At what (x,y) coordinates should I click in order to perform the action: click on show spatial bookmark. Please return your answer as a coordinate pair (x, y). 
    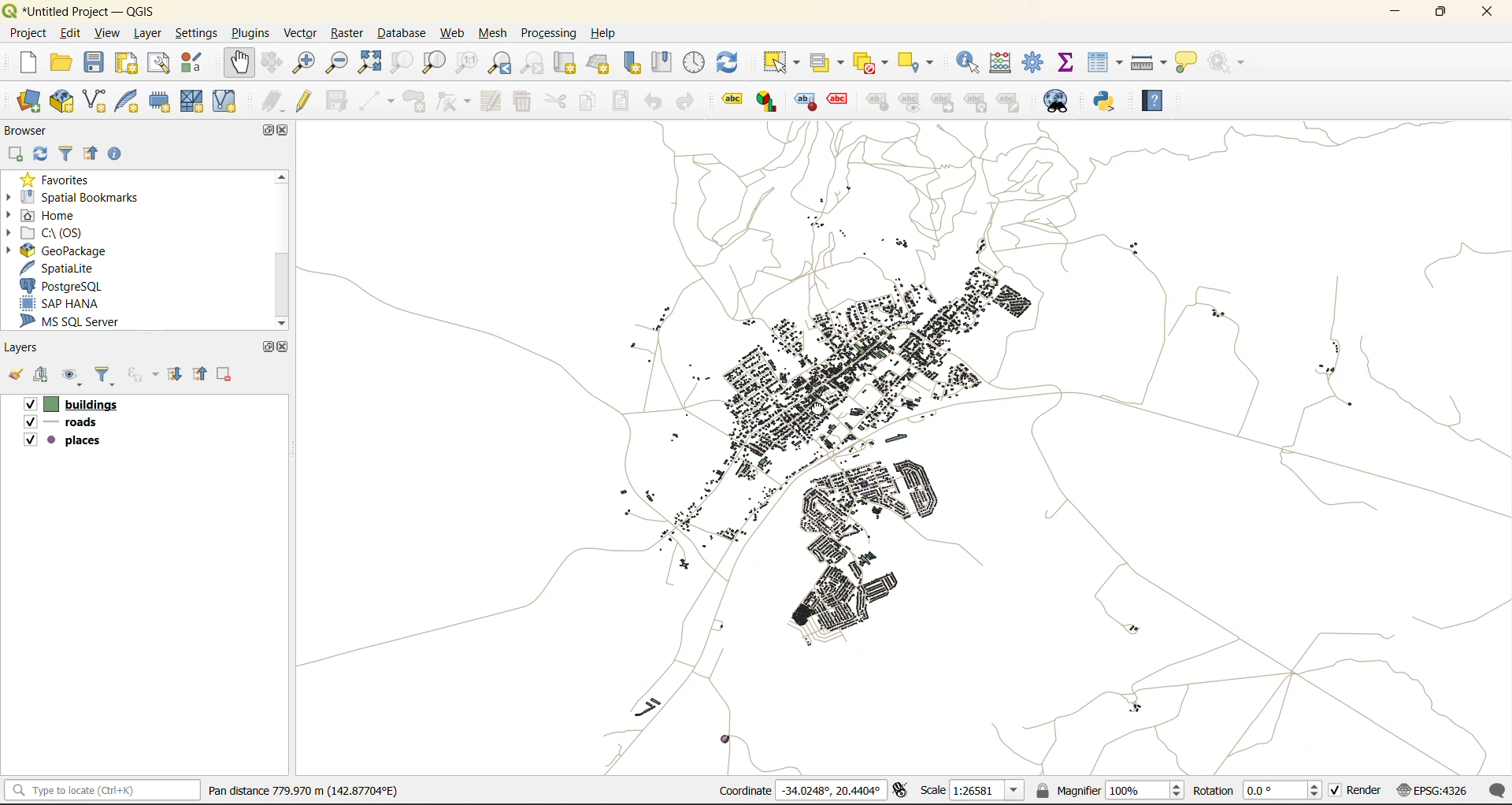
    Looking at the image, I should click on (661, 62).